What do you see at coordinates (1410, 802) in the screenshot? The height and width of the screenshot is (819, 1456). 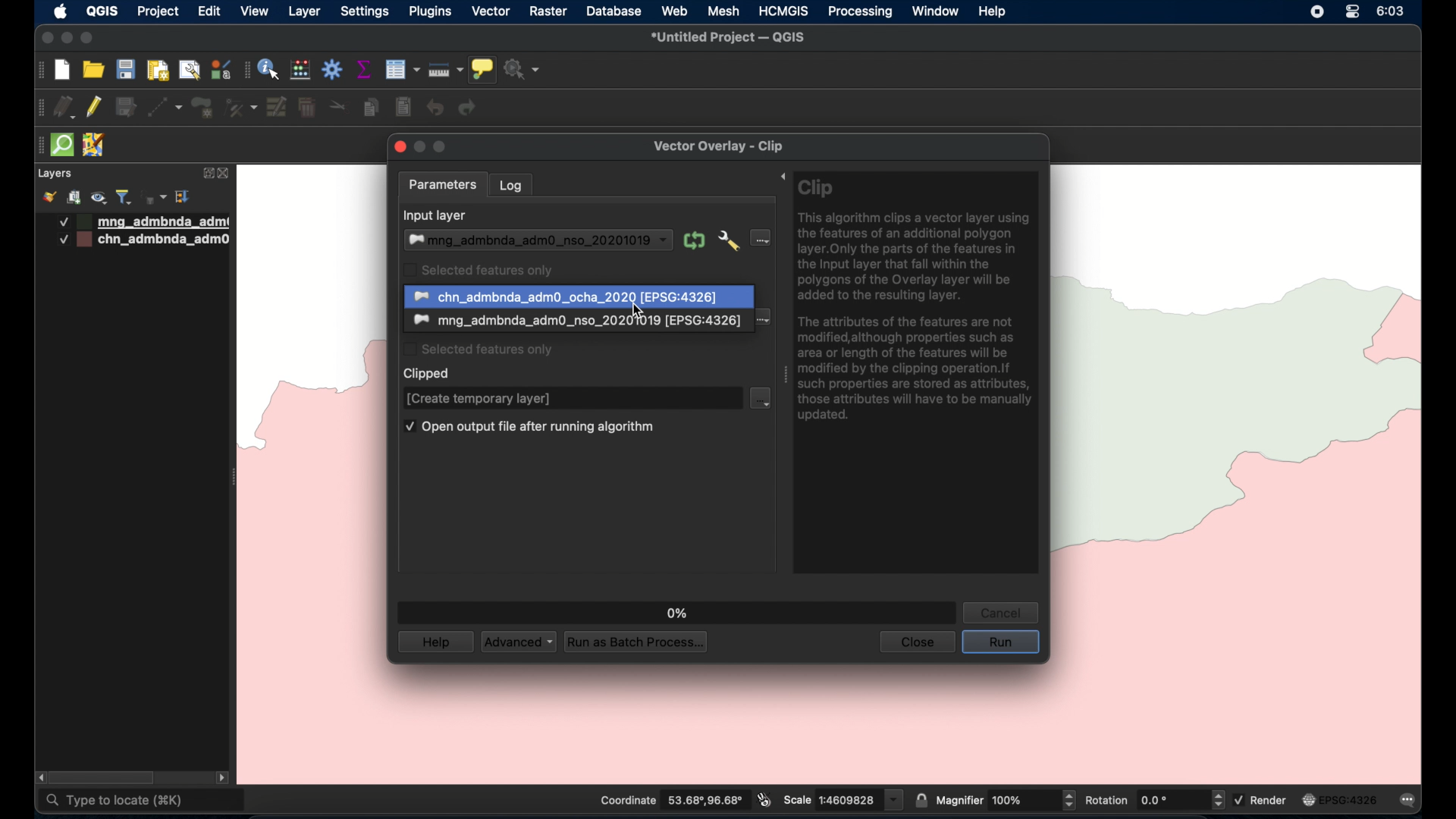 I see `messages` at bounding box center [1410, 802].